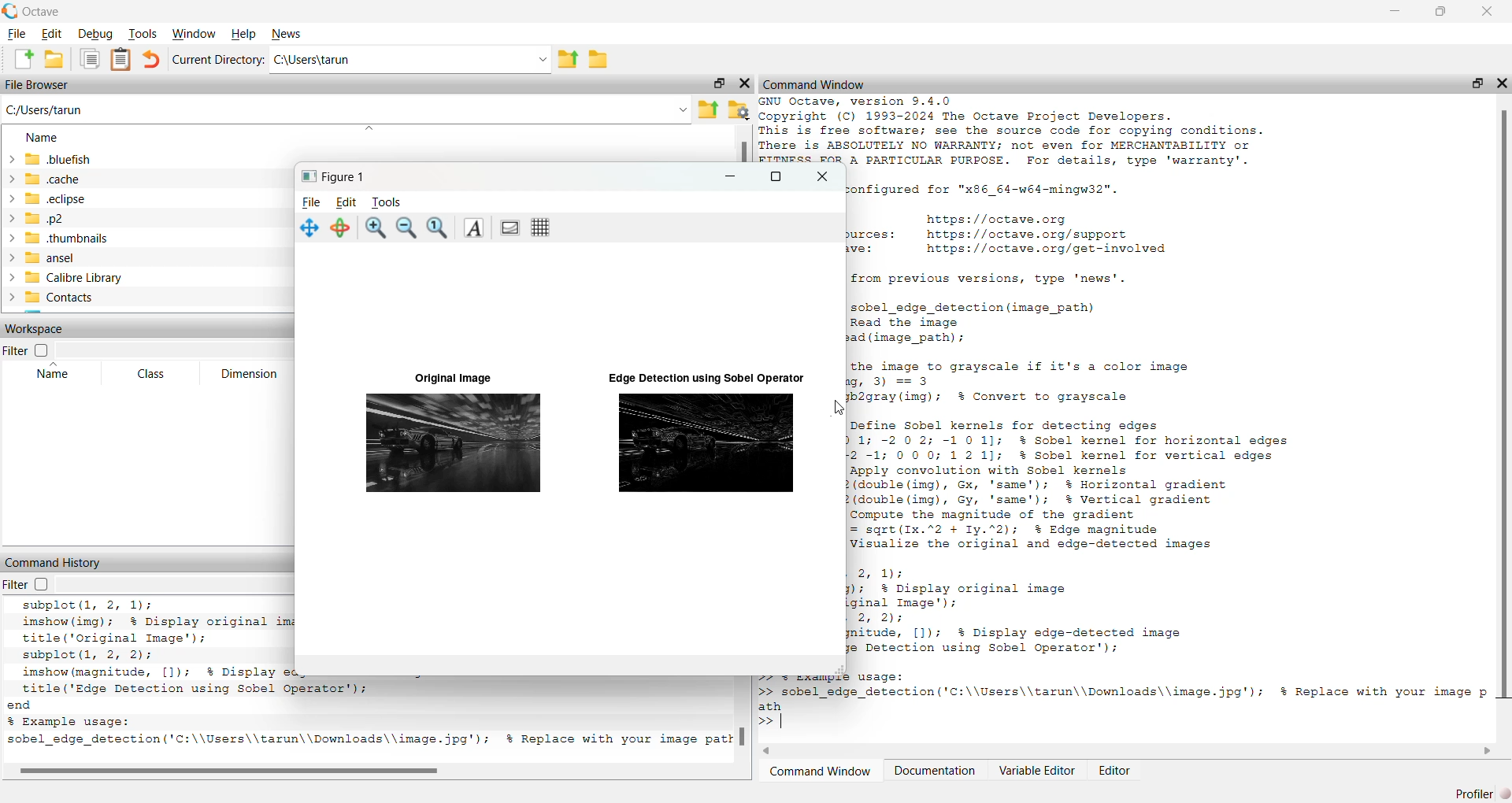 This screenshot has height=803, width=1512. Describe the element at coordinates (54, 59) in the screenshot. I see `open folder` at that location.